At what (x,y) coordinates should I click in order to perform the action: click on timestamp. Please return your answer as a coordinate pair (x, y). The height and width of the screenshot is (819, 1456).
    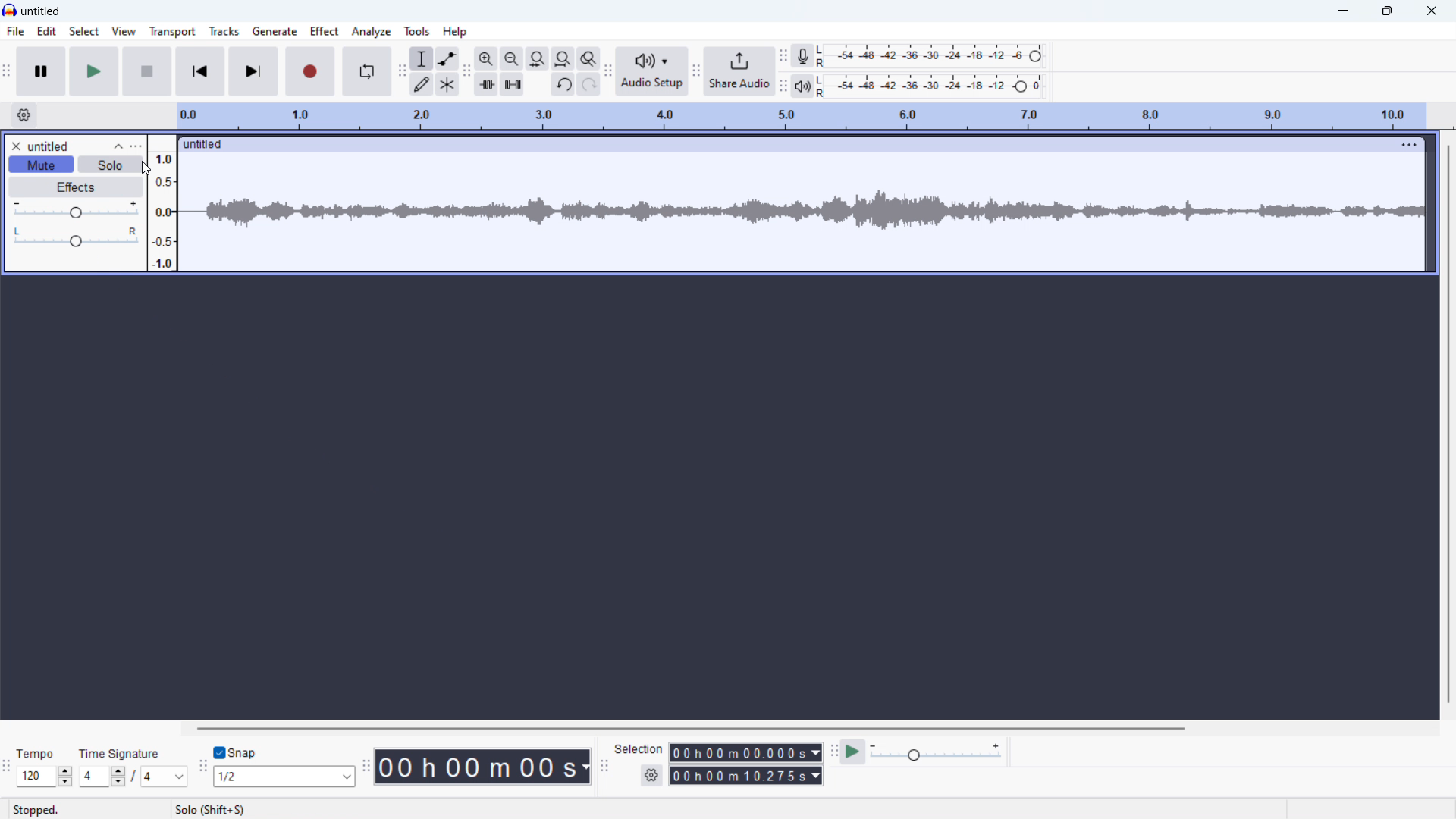
    Looking at the image, I should click on (482, 767).